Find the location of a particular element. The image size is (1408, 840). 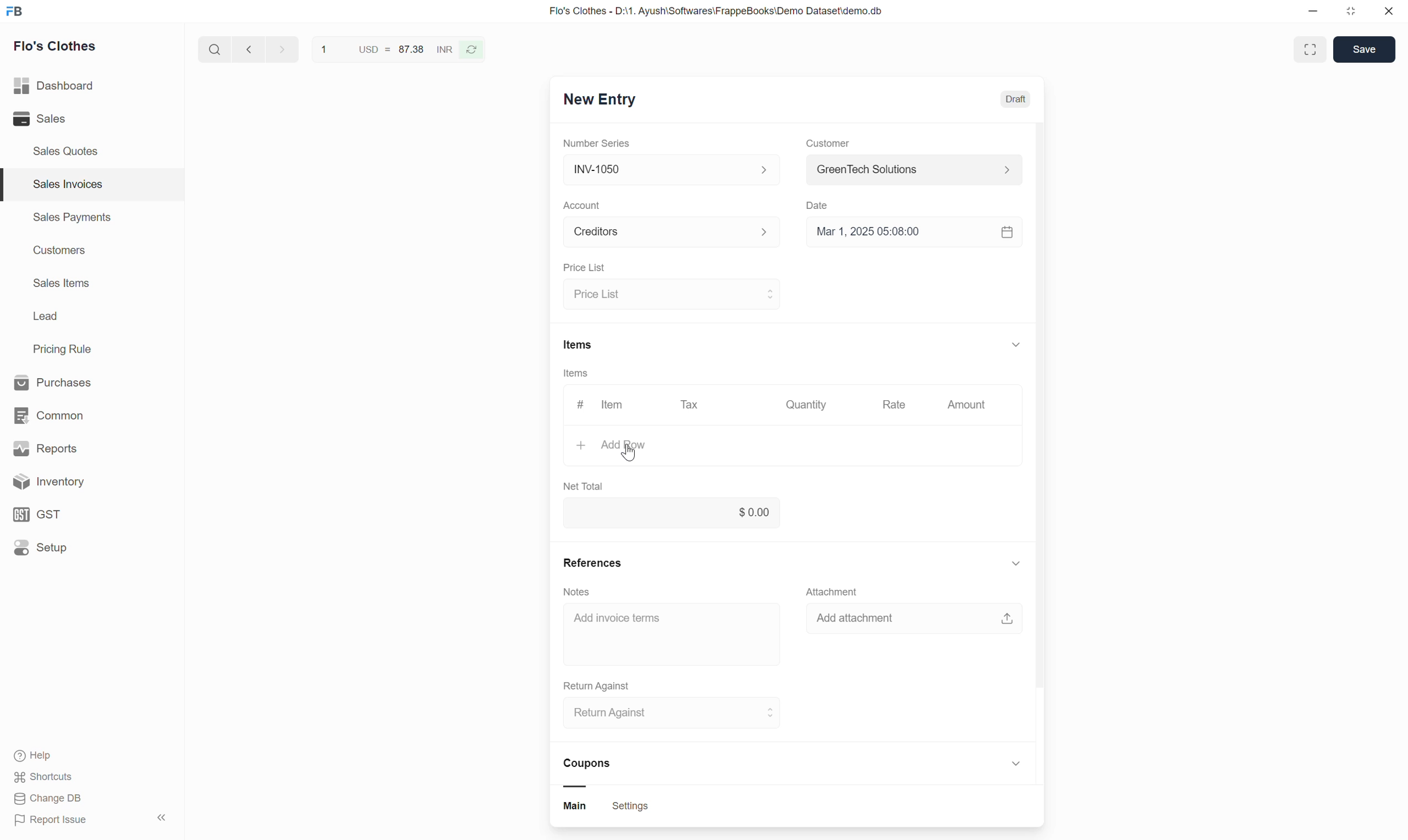

Item is located at coordinates (614, 405).